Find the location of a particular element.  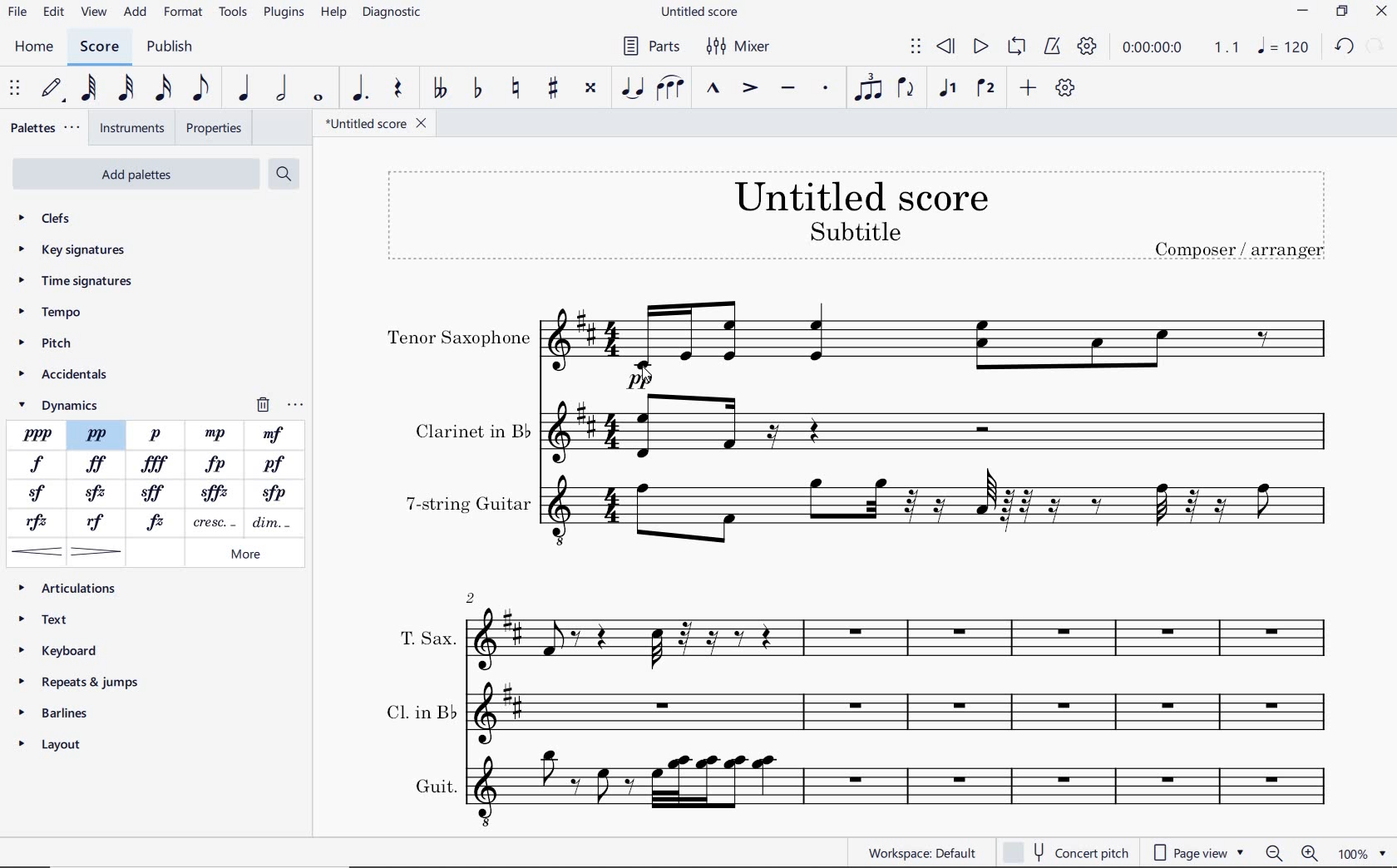

TIE is located at coordinates (633, 87).